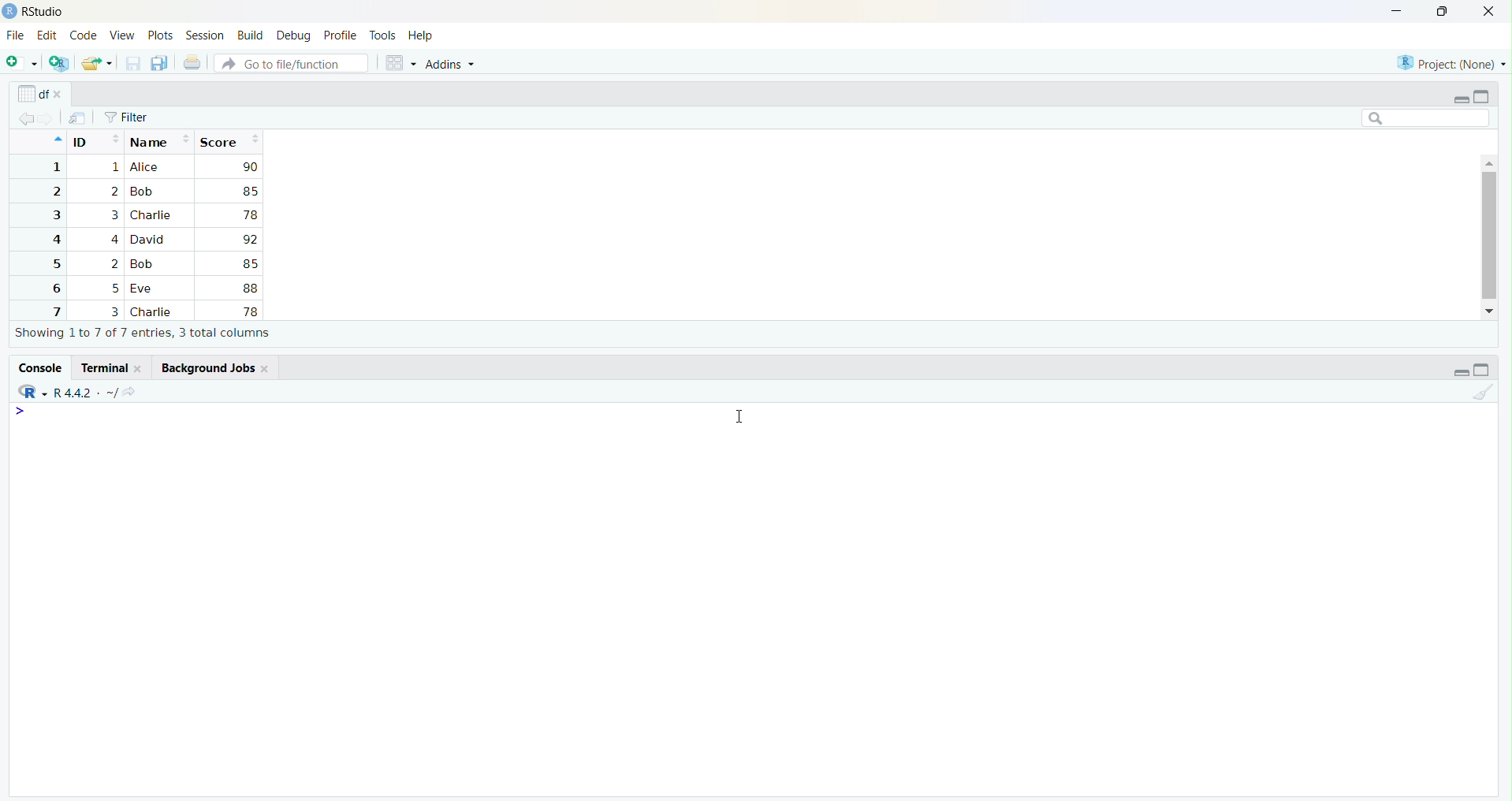 This screenshot has height=801, width=1512. I want to click on back, so click(26, 119).